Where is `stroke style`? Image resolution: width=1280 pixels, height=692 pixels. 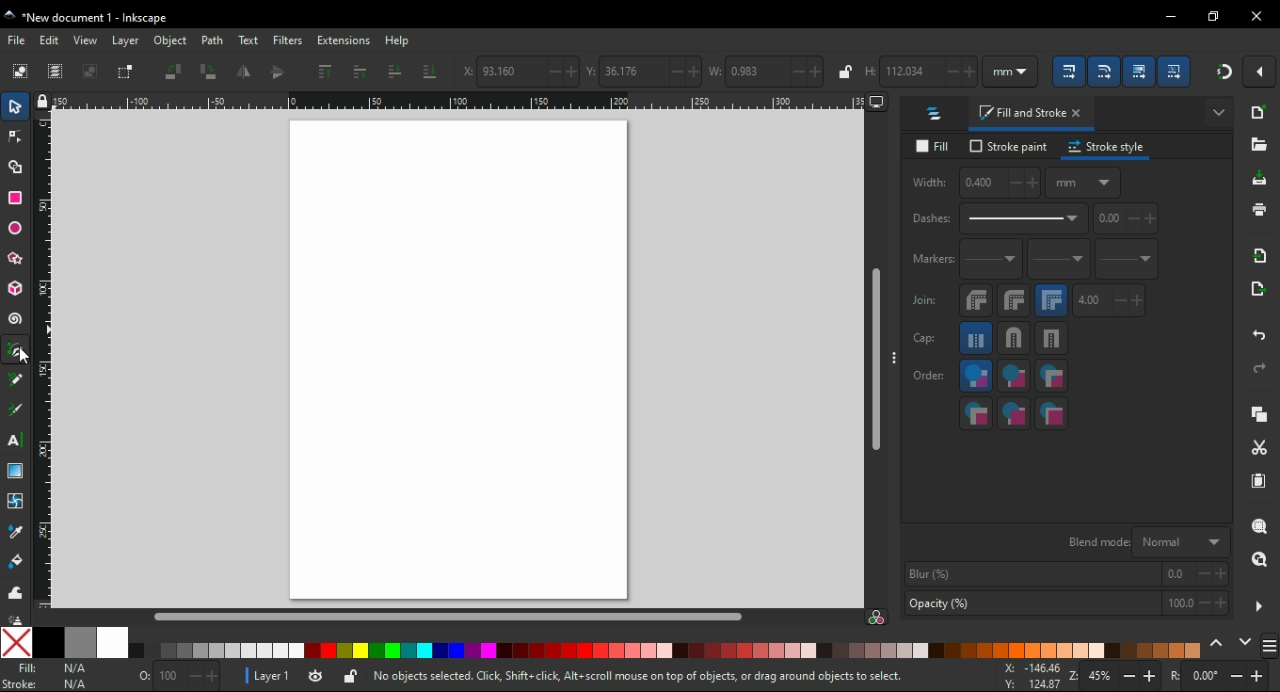 stroke style is located at coordinates (1107, 147).